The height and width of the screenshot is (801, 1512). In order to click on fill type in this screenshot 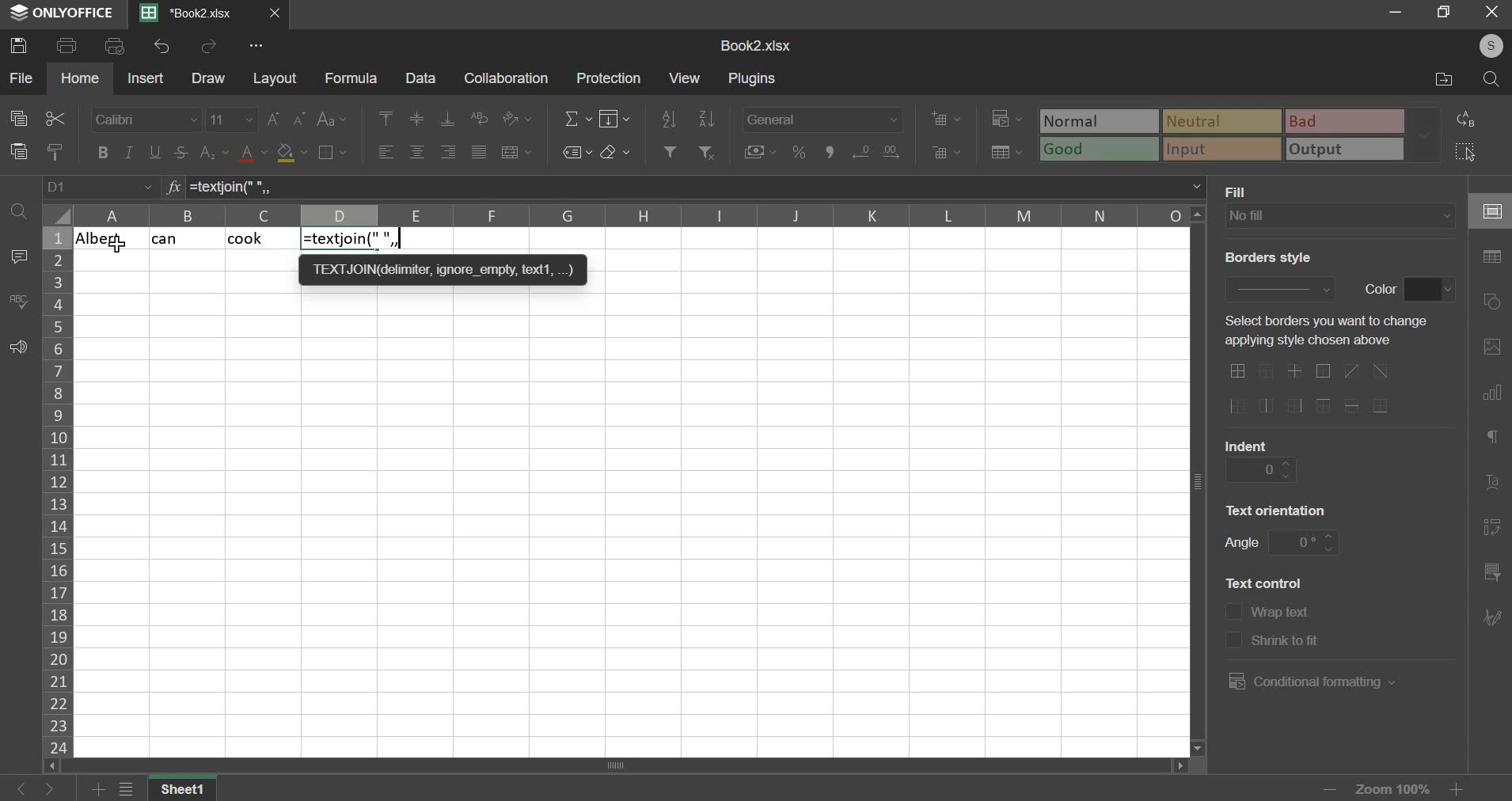, I will do `click(1340, 216)`.